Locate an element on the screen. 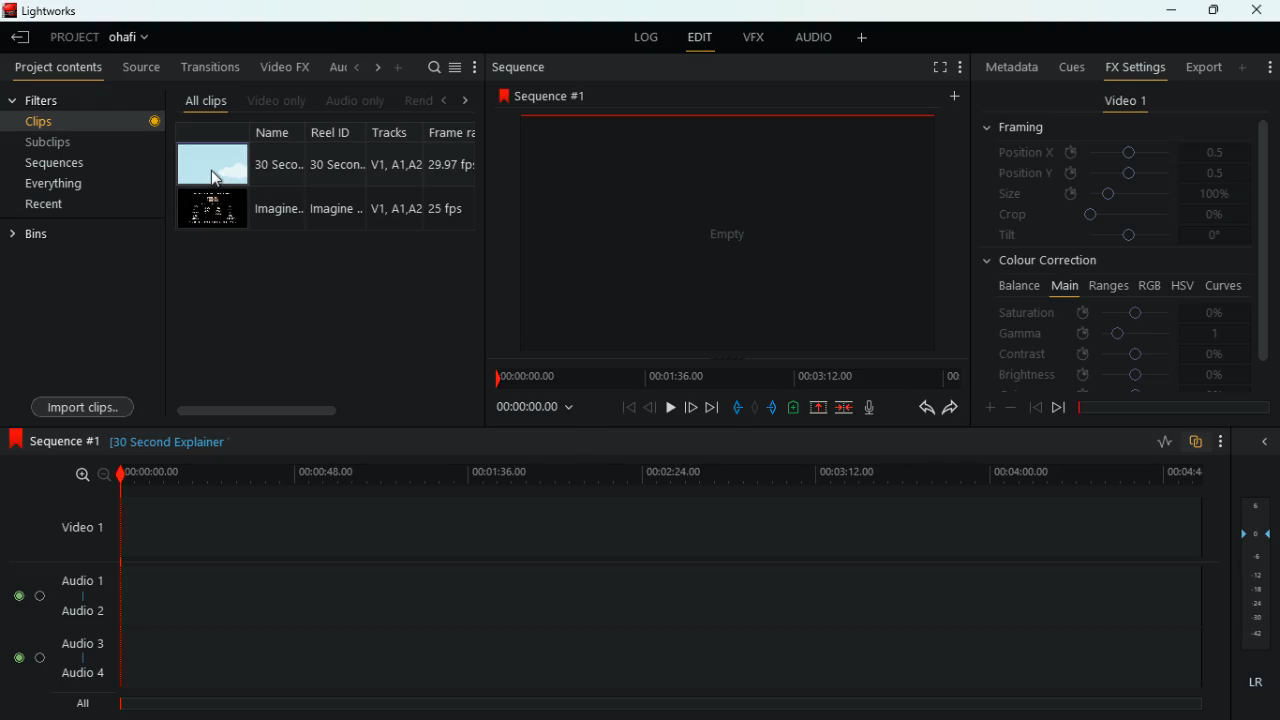  minus is located at coordinates (1011, 407).